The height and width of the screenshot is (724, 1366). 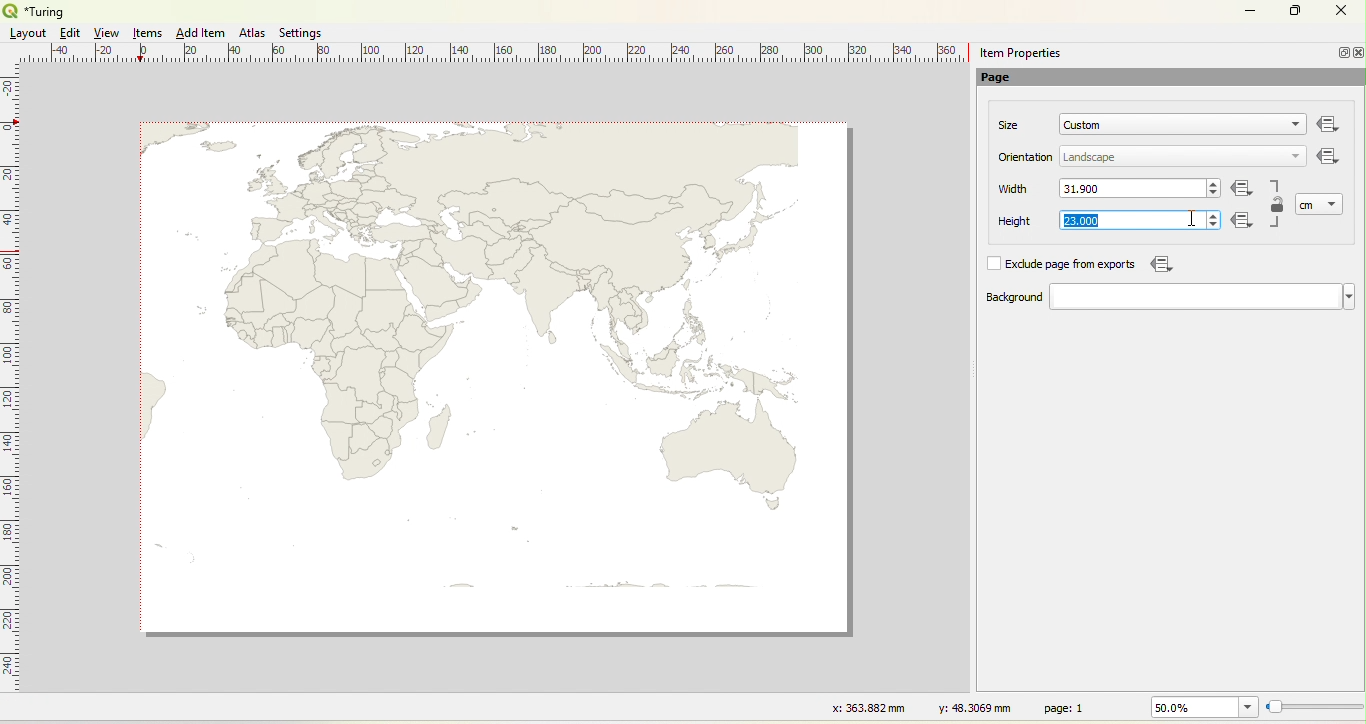 What do you see at coordinates (1243, 190) in the screenshot?
I see `Icon` at bounding box center [1243, 190].